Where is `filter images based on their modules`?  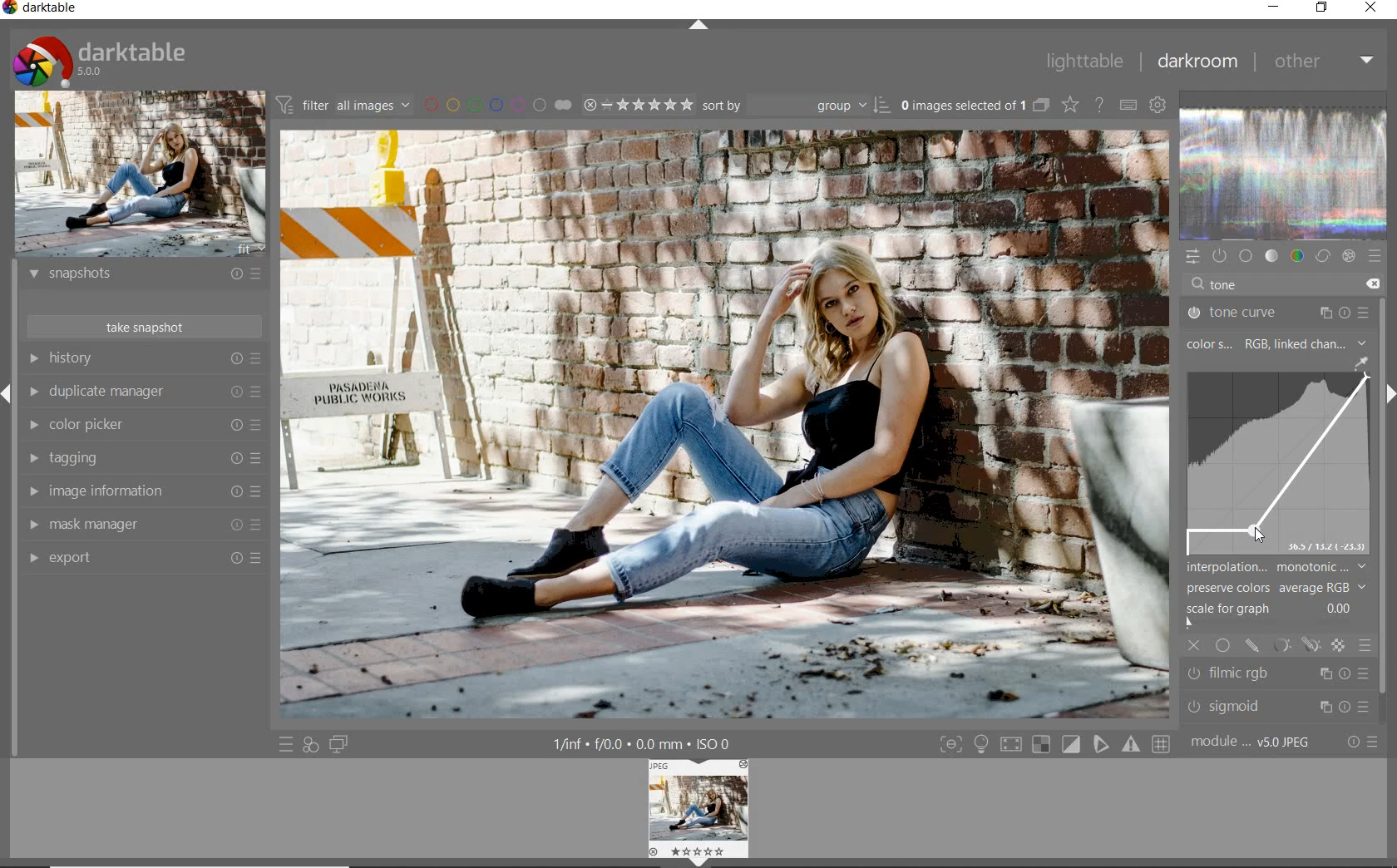
filter images based on their modules is located at coordinates (346, 106).